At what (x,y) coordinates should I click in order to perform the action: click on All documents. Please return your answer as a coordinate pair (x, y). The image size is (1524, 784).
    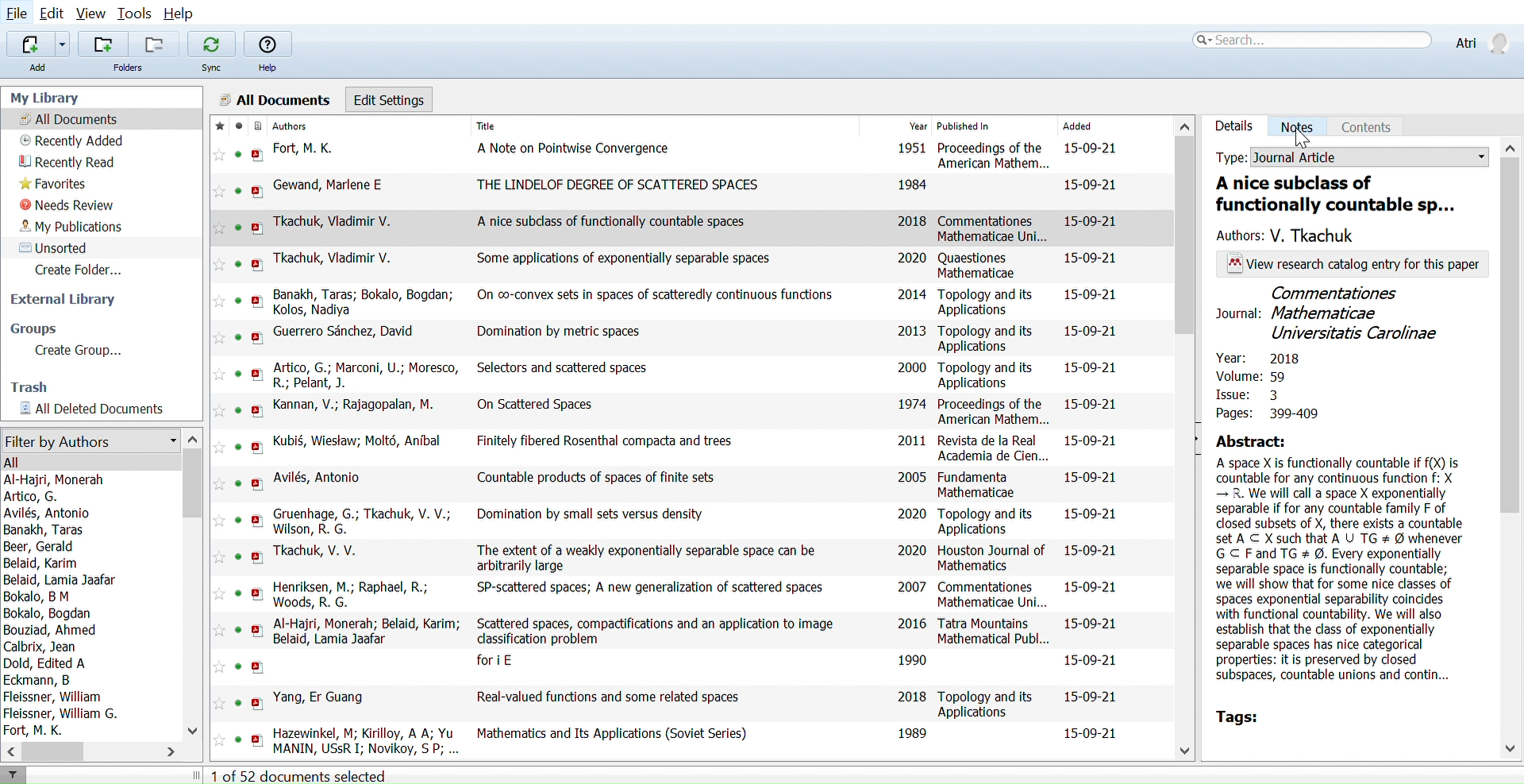
    Looking at the image, I should click on (99, 409).